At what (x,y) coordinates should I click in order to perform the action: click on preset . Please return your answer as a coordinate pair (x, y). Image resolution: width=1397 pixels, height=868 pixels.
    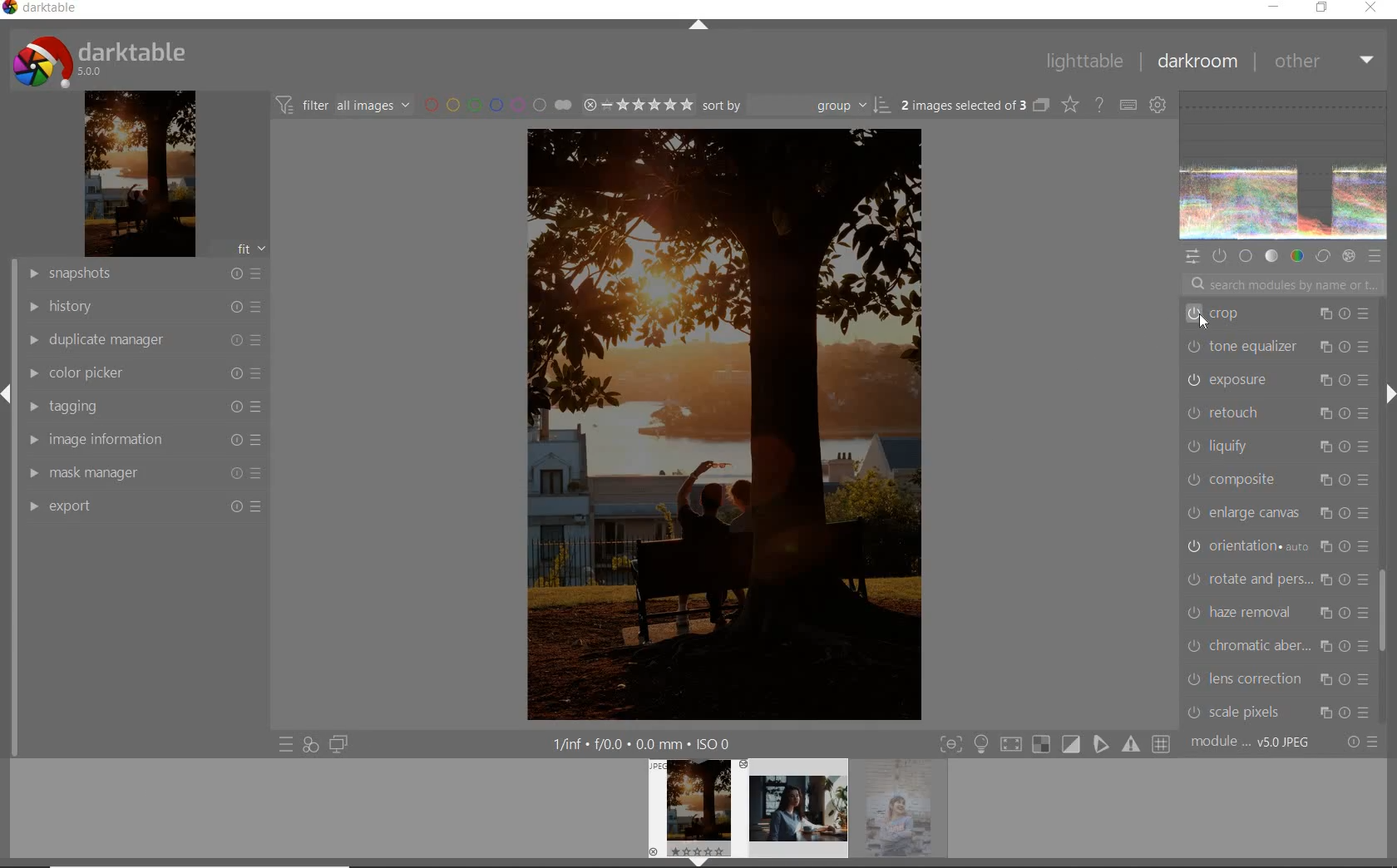
    Looking at the image, I should click on (1375, 254).